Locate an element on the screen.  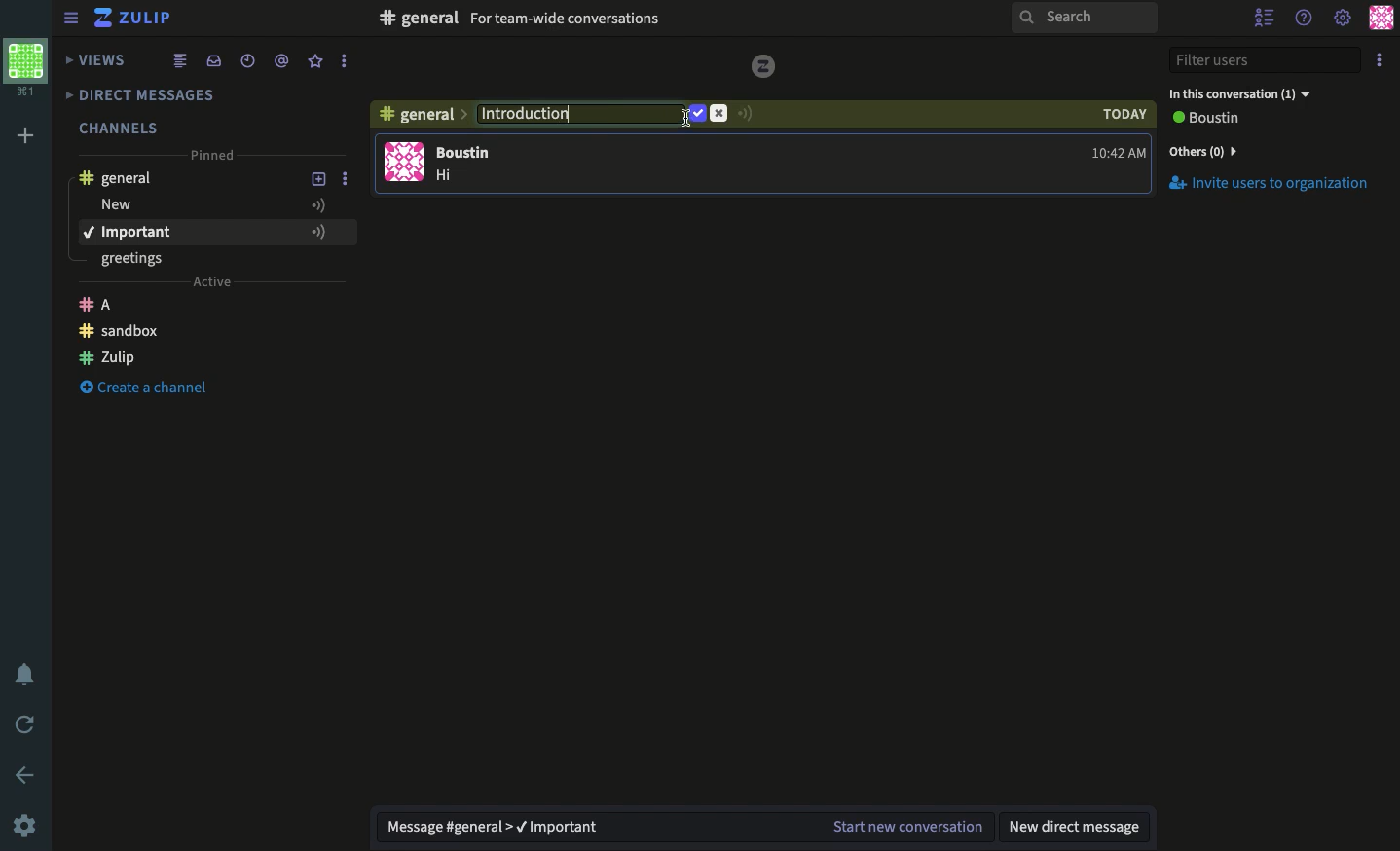
Menu is located at coordinates (72, 17).